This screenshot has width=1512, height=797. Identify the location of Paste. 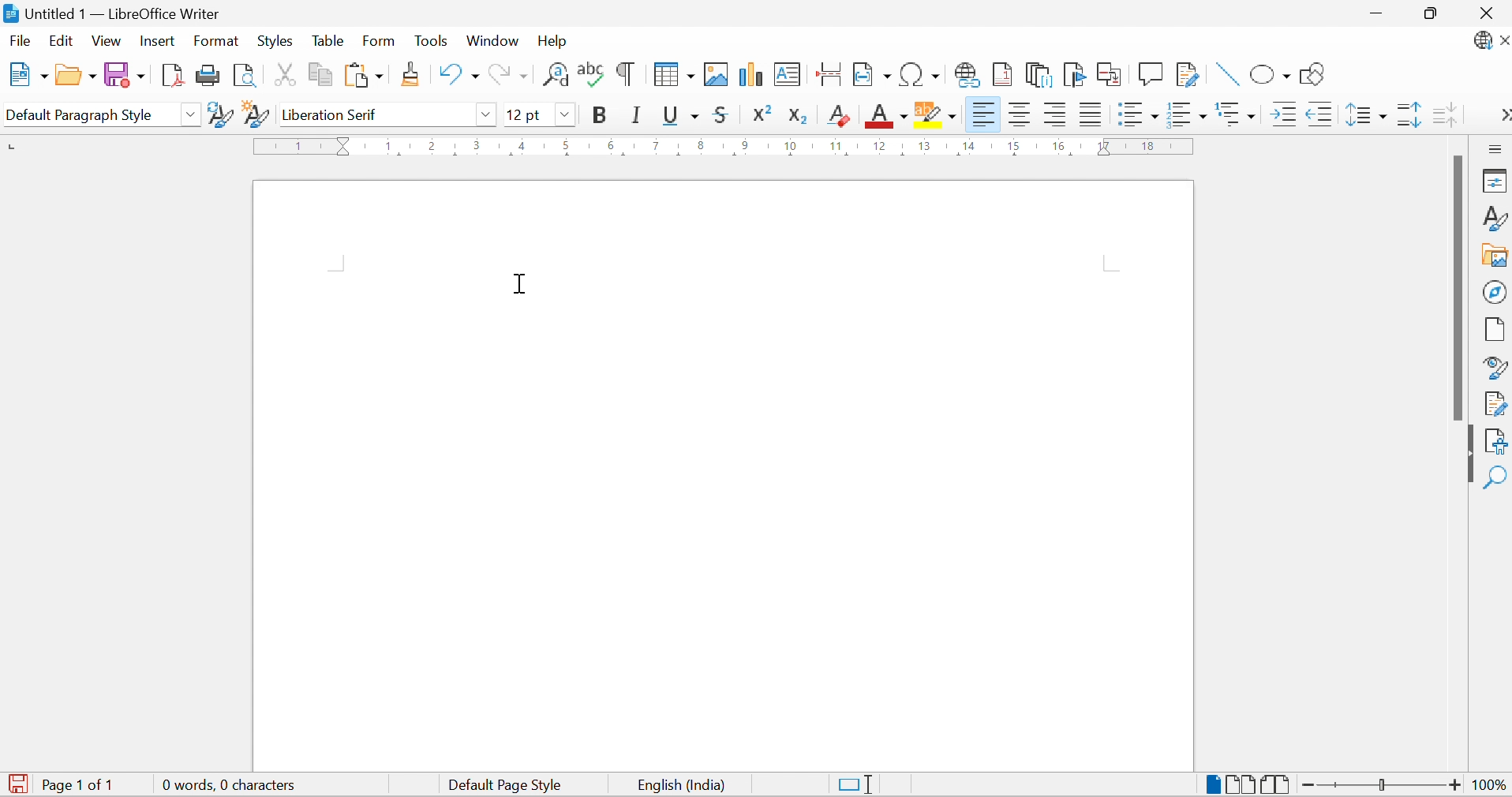
(363, 75).